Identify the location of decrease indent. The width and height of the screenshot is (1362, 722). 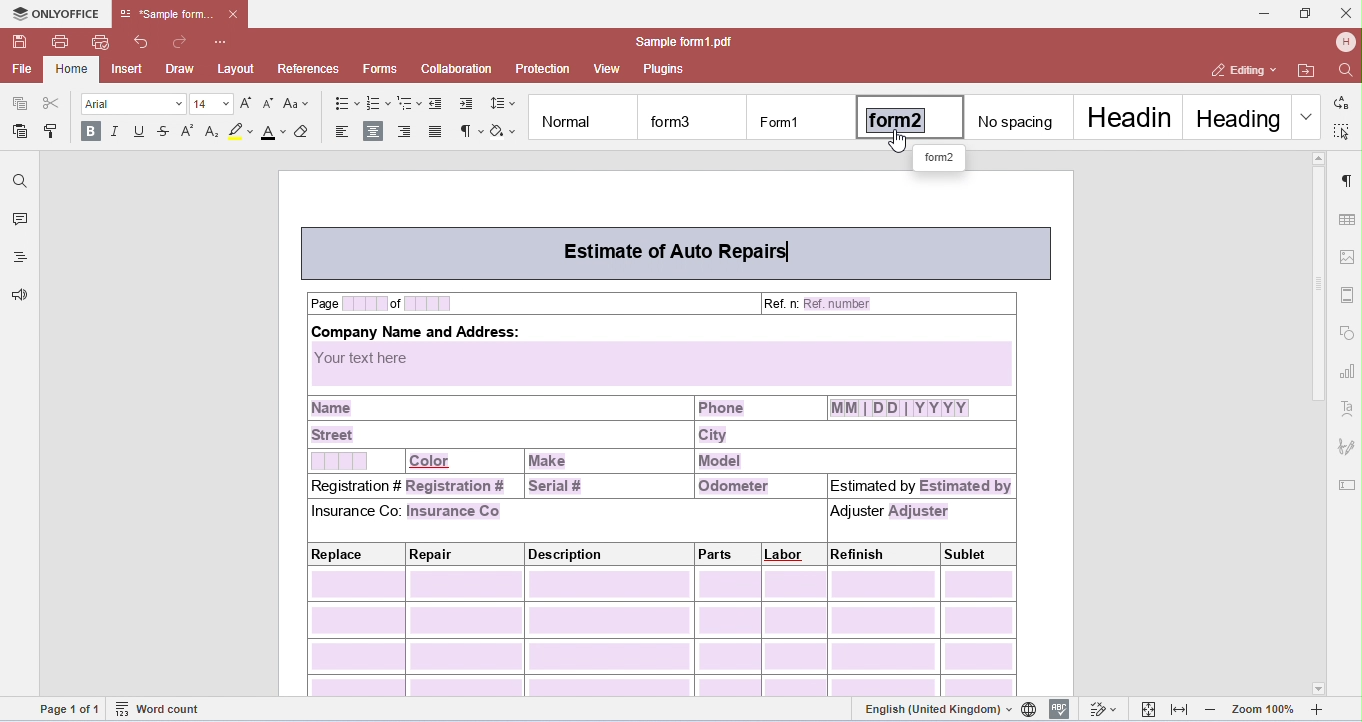
(437, 104).